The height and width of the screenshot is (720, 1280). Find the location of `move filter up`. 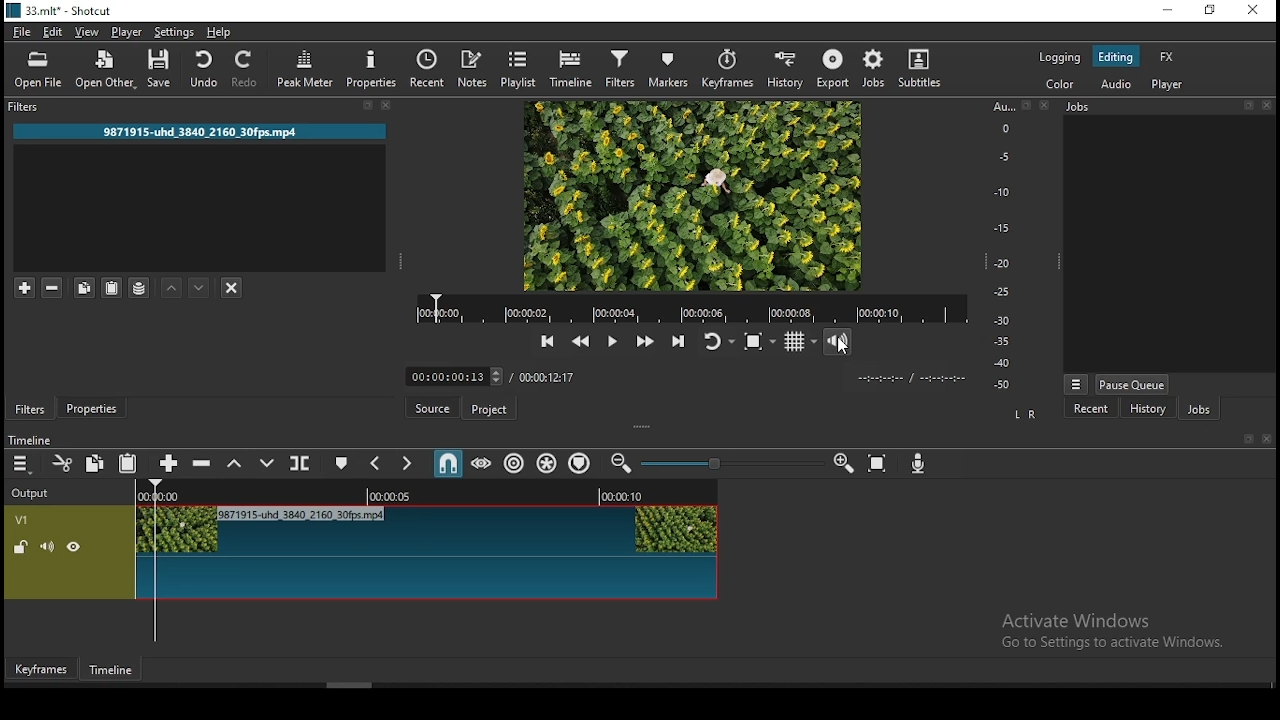

move filter up is located at coordinates (173, 288).